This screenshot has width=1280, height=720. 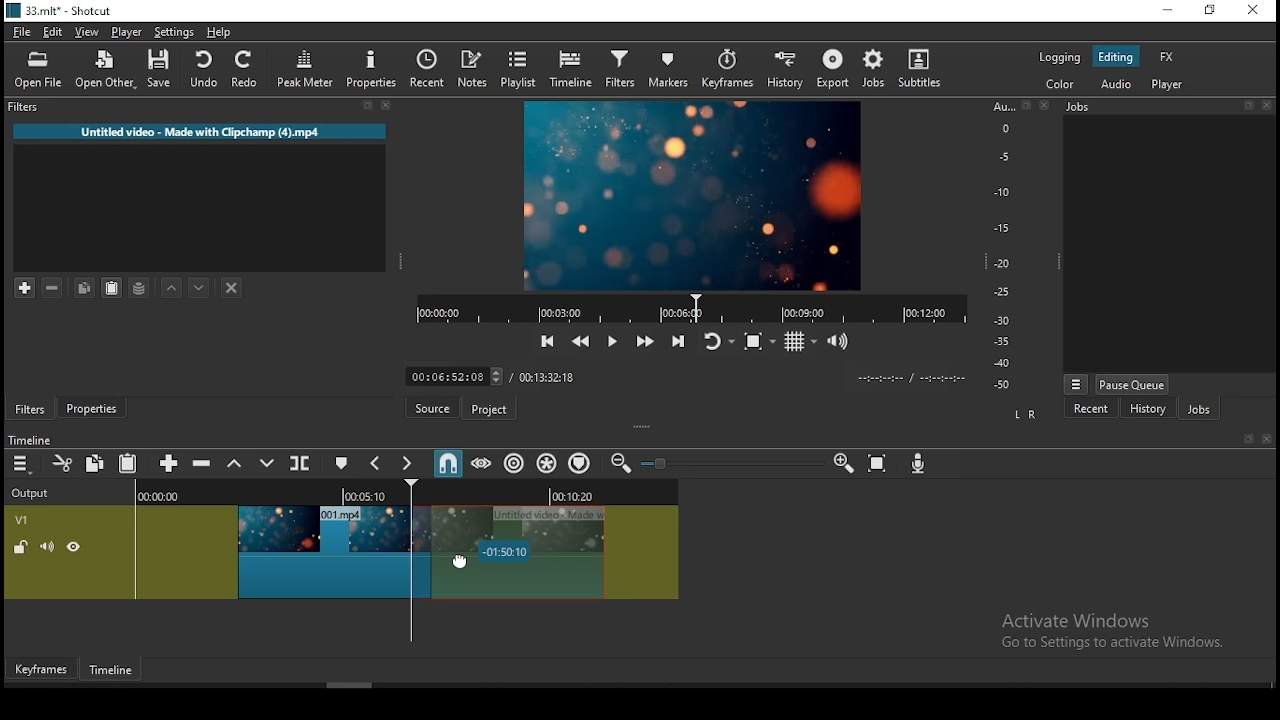 What do you see at coordinates (23, 519) in the screenshot?
I see `video track` at bounding box center [23, 519].